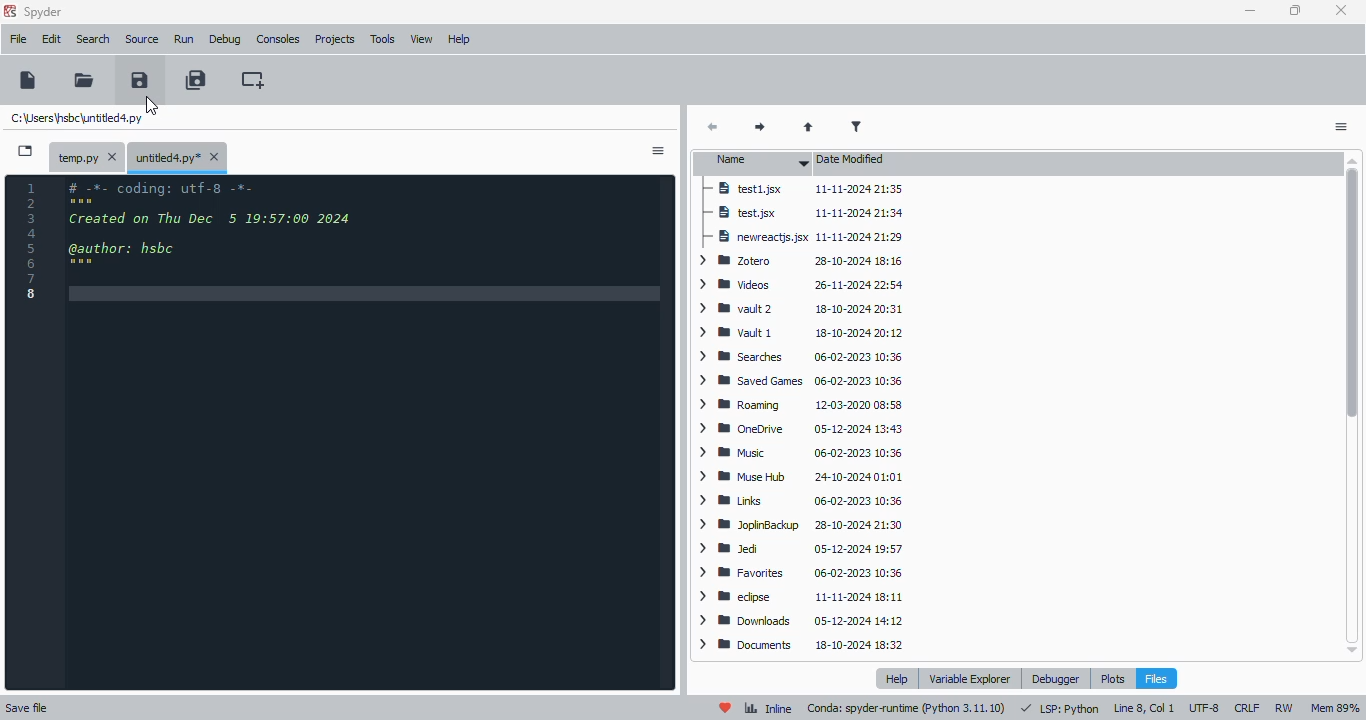 The height and width of the screenshot is (720, 1366). What do you see at coordinates (857, 127) in the screenshot?
I see `filter filenames` at bounding box center [857, 127].